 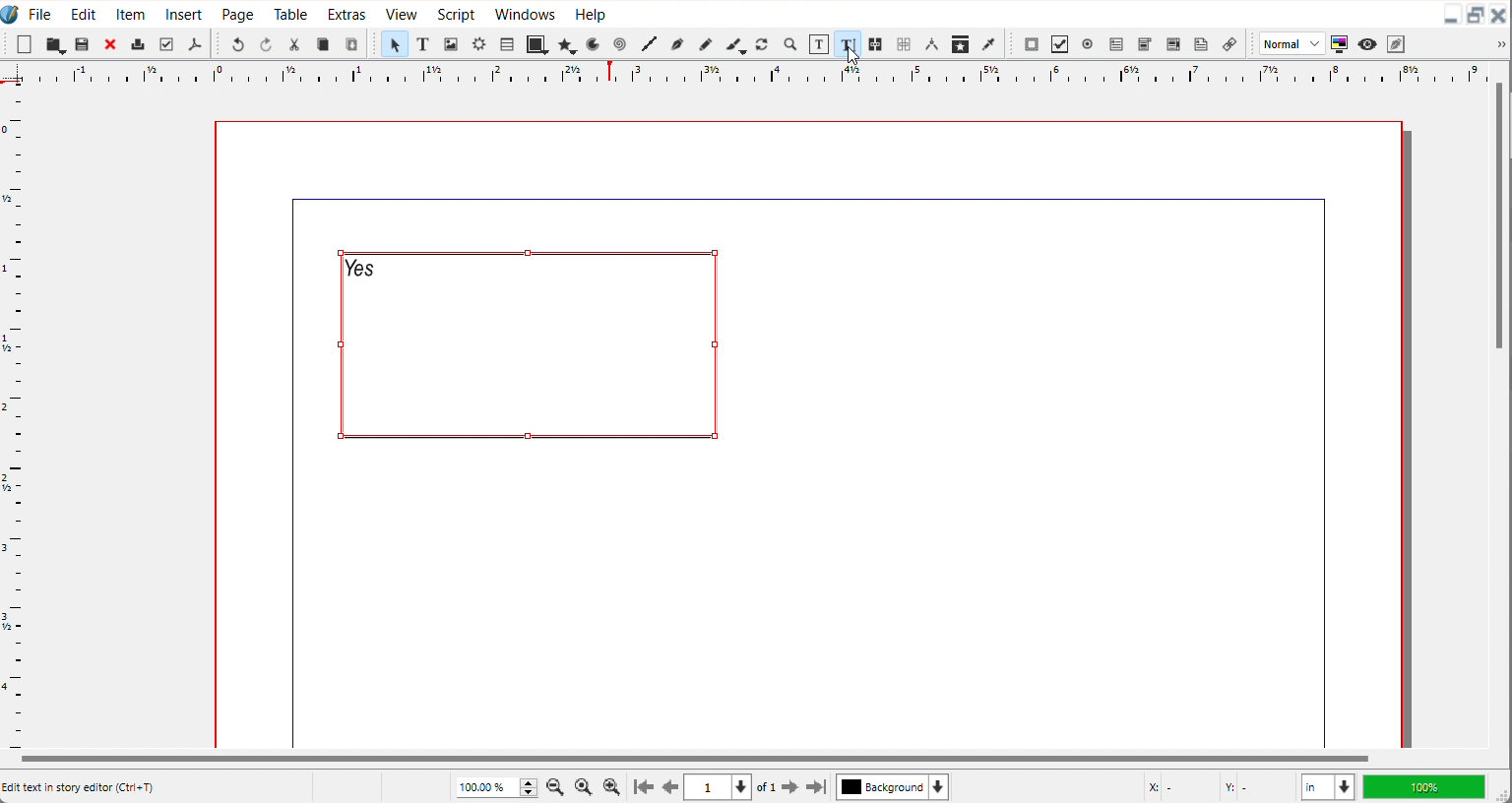 What do you see at coordinates (568, 44) in the screenshot?
I see `Polygon` at bounding box center [568, 44].